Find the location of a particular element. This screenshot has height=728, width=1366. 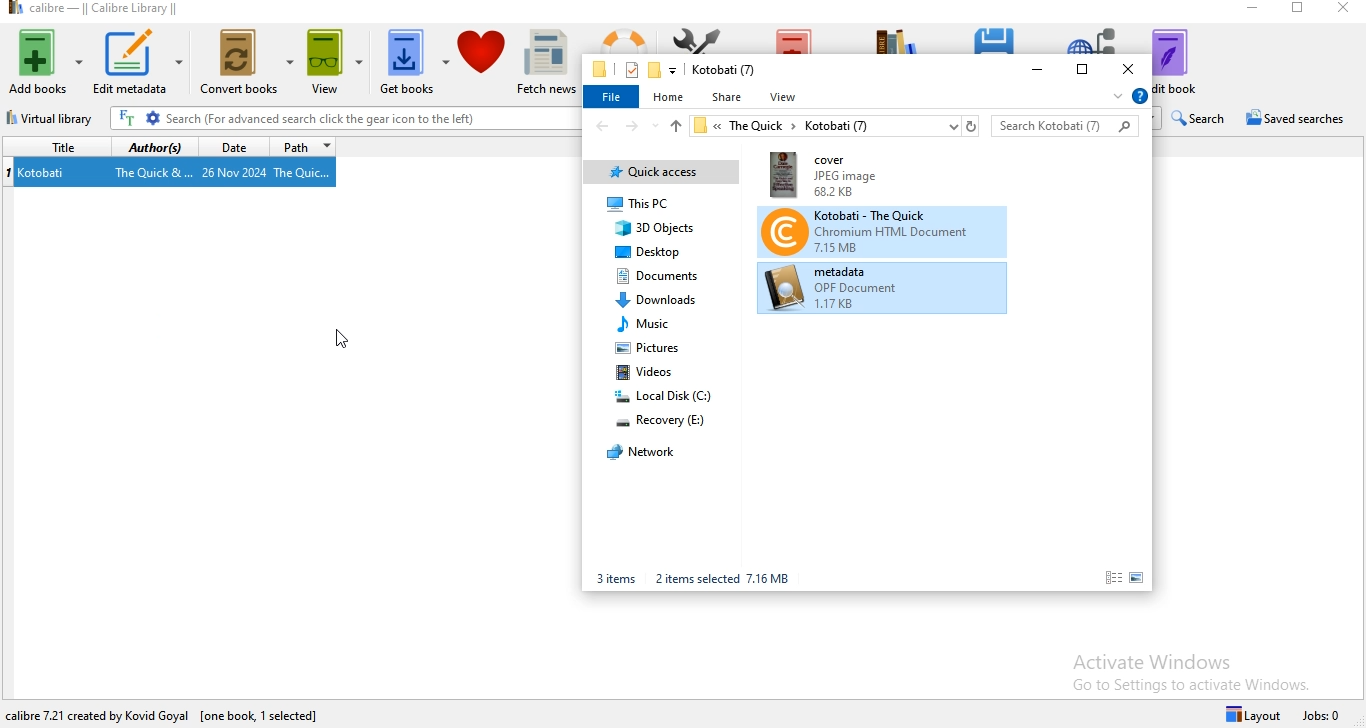

cursor is located at coordinates (338, 339).